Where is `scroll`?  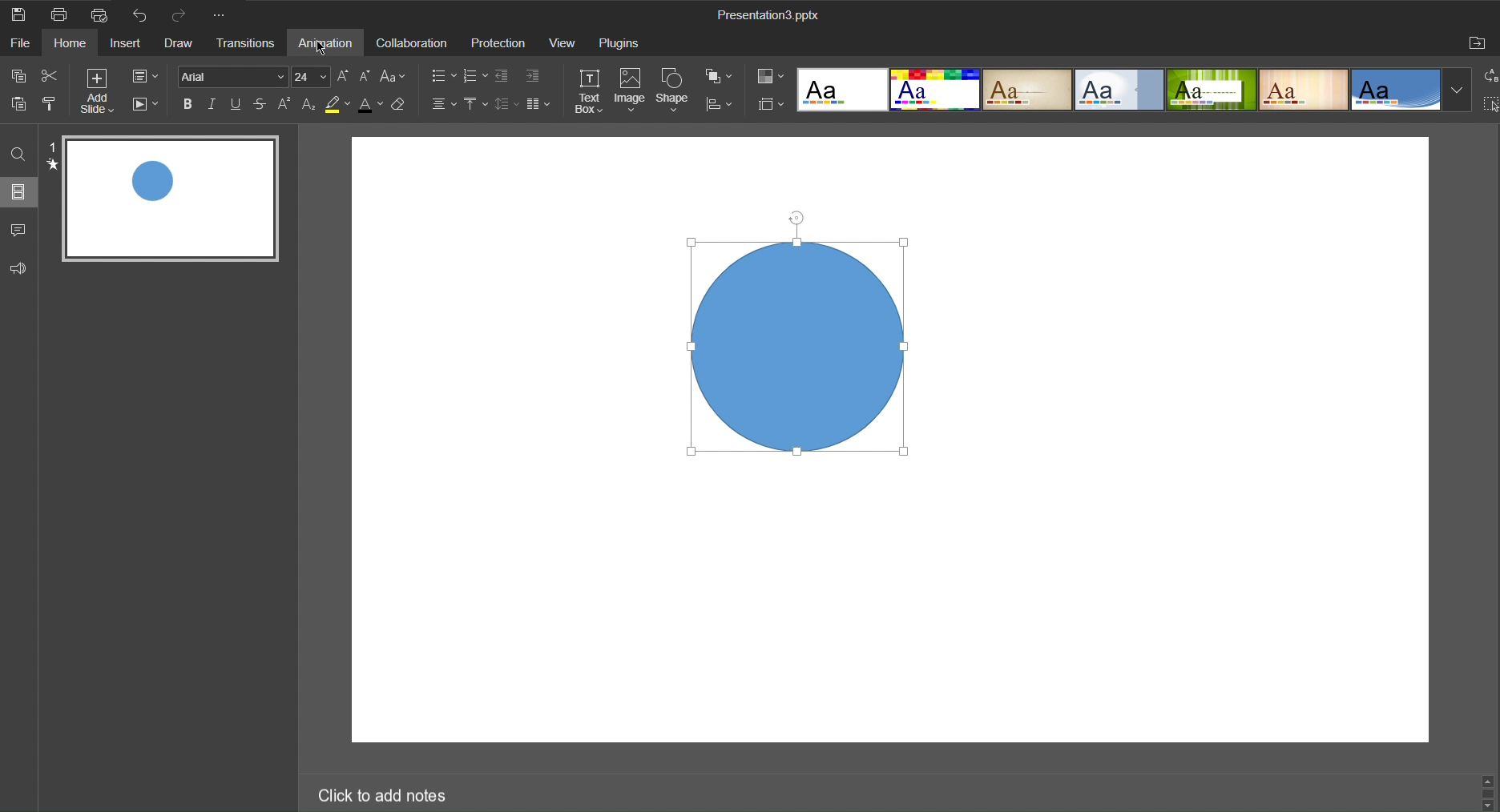 scroll is located at coordinates (1487, 791).